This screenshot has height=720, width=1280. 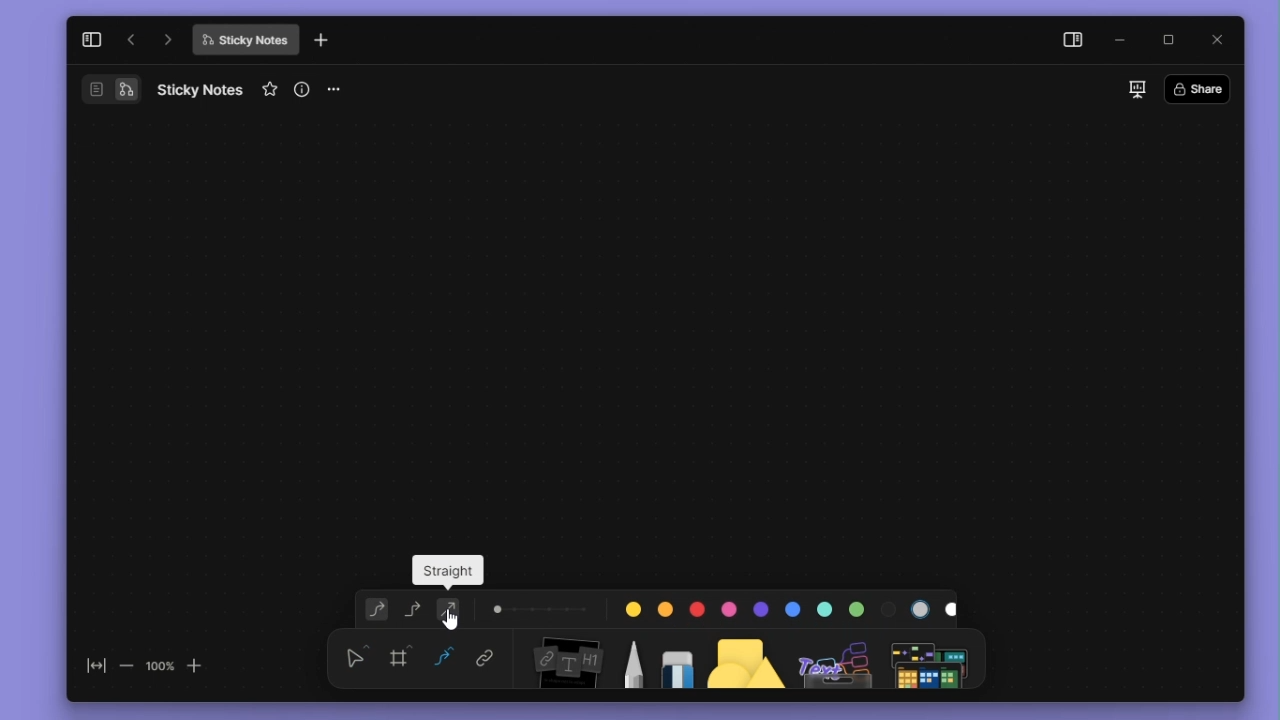 I want to click on other, so click(x=837, y=658).